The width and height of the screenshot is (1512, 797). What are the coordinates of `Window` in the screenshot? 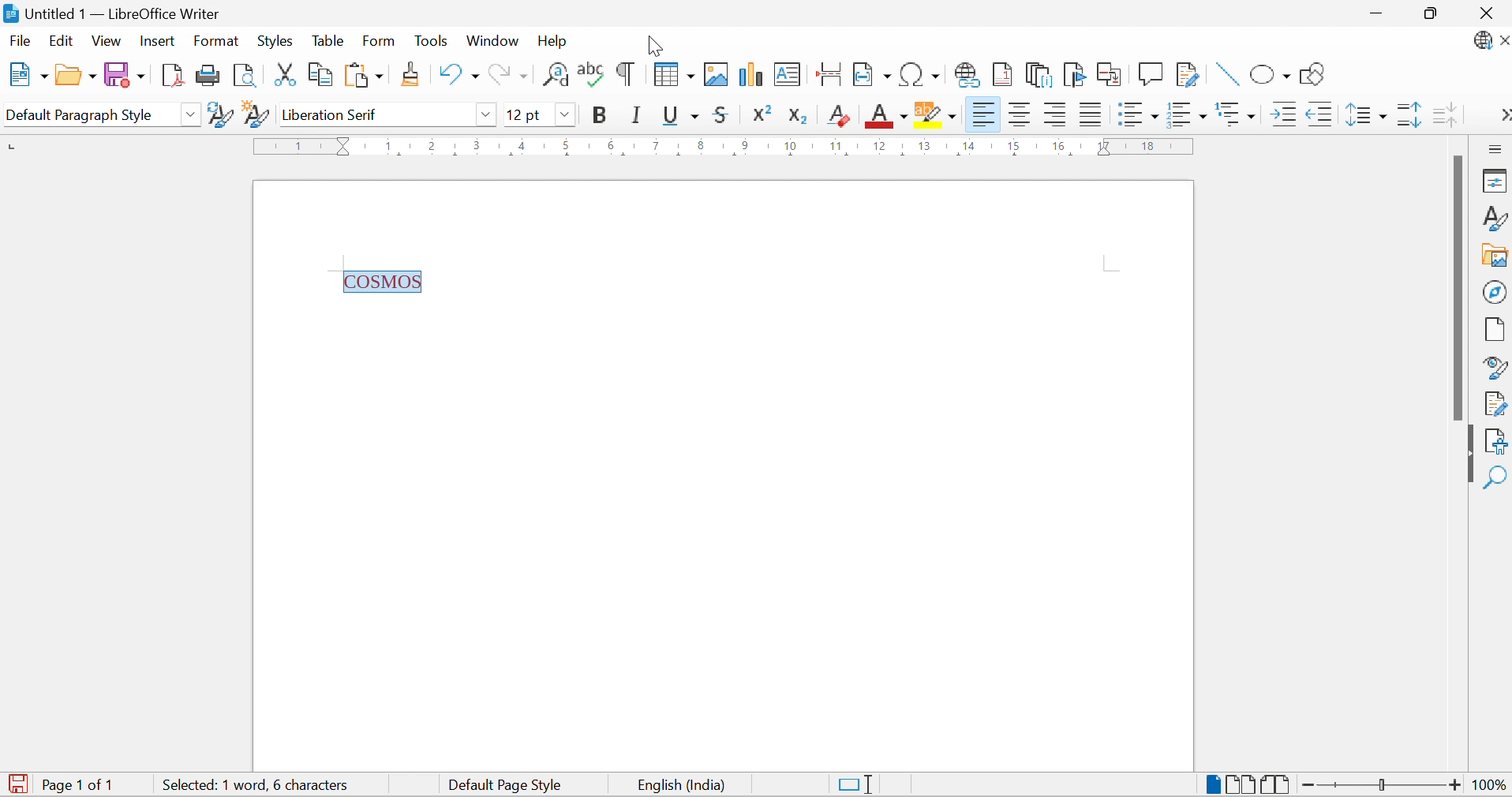 It's located at (492, 42).